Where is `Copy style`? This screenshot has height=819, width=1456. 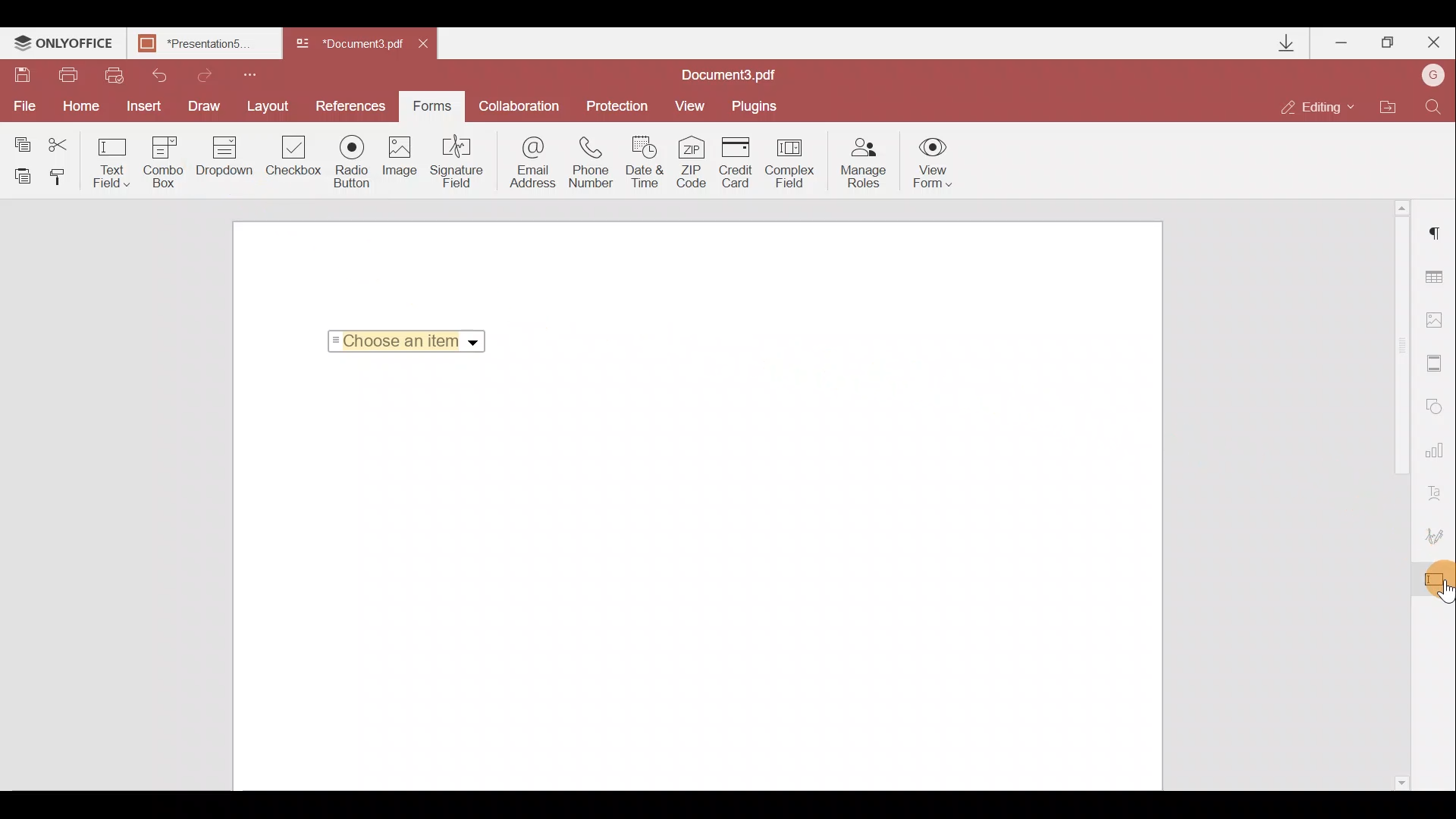 Copy style is located at coordinates (63, 180).